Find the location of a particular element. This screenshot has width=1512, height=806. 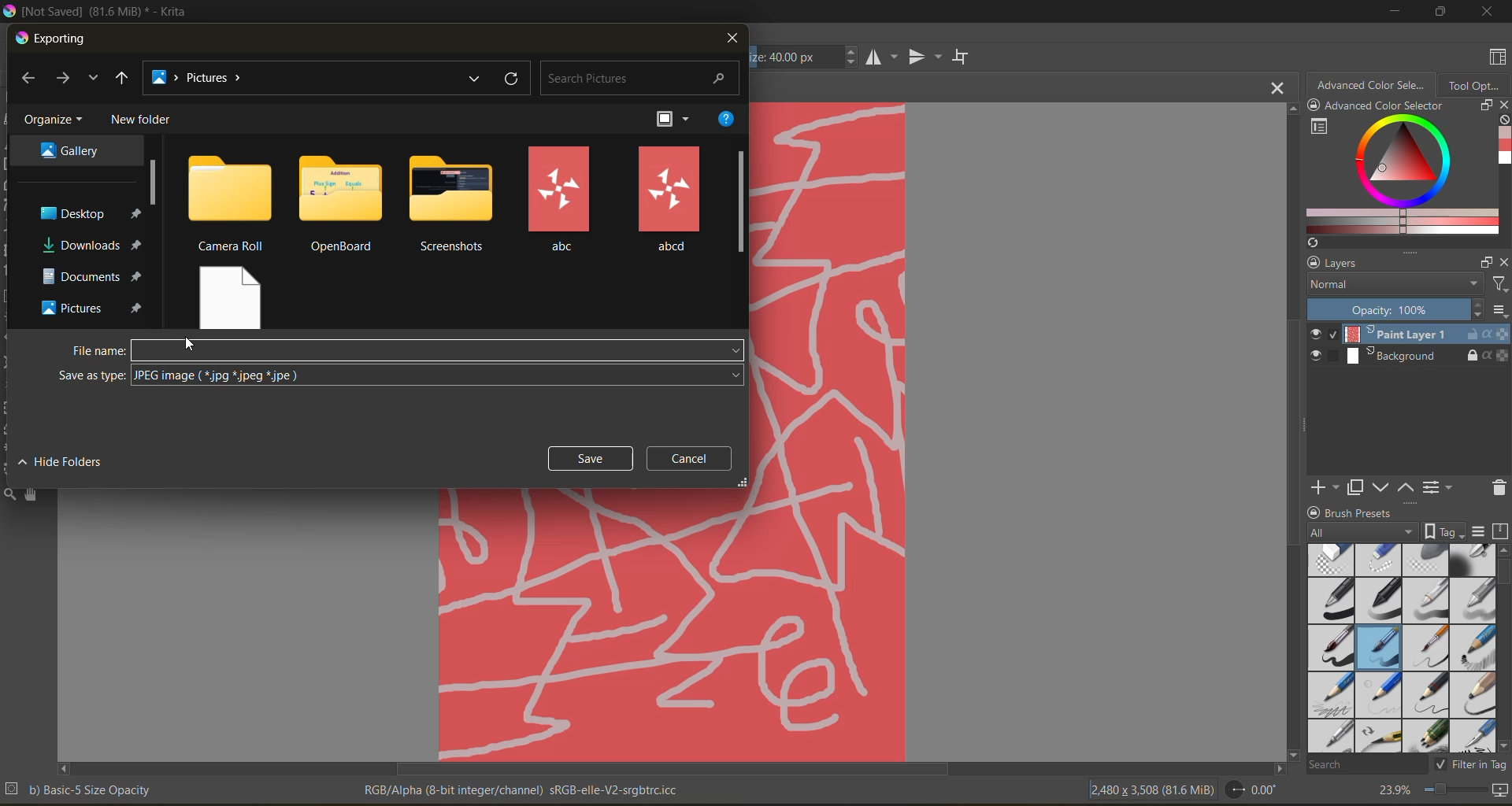

[Not Saved] (81.6 MiB) * is located at coordinates (766, 88).